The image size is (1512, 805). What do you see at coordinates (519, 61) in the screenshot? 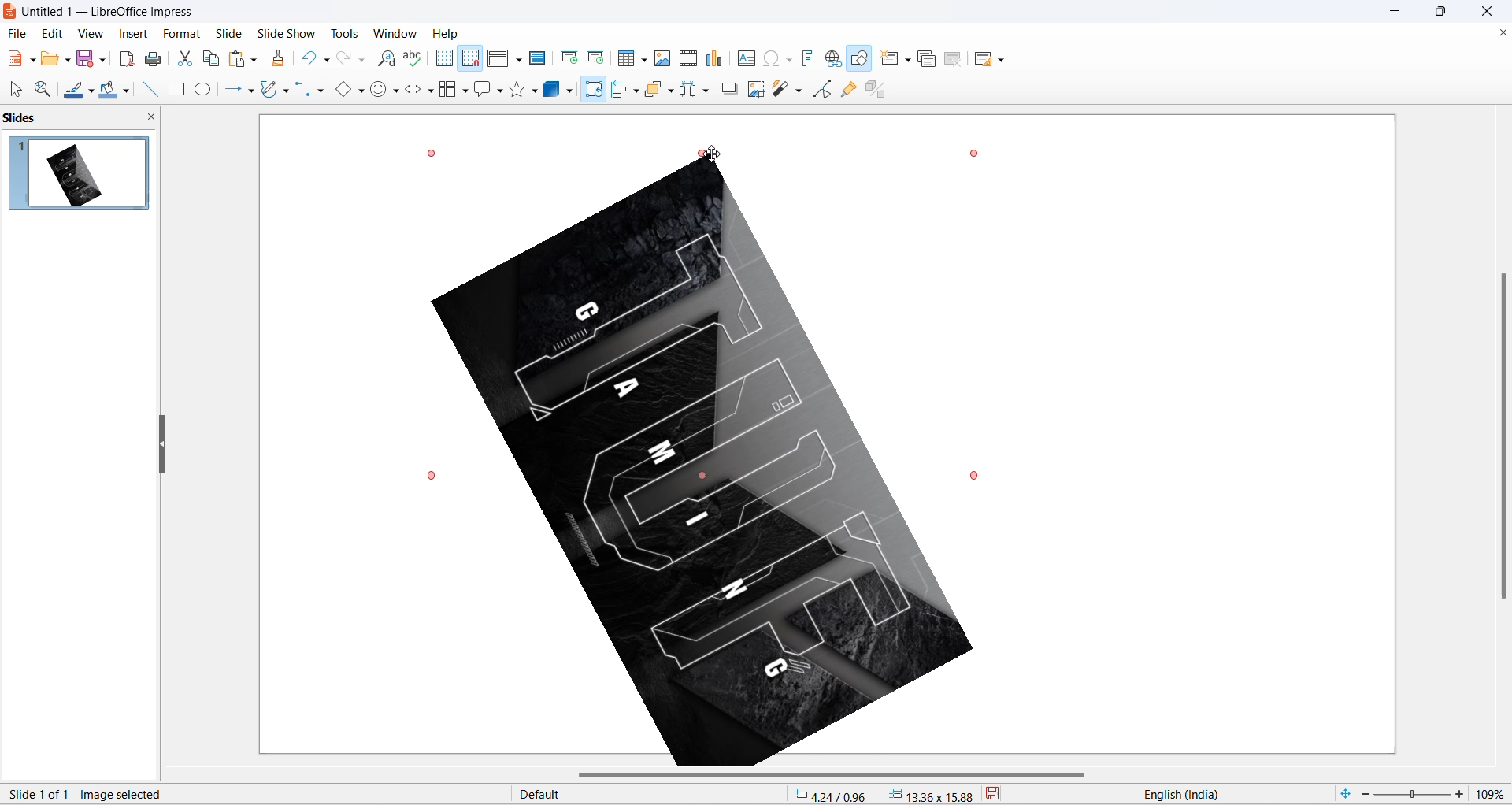
I see `display views option` at bounding box center [519, 61].